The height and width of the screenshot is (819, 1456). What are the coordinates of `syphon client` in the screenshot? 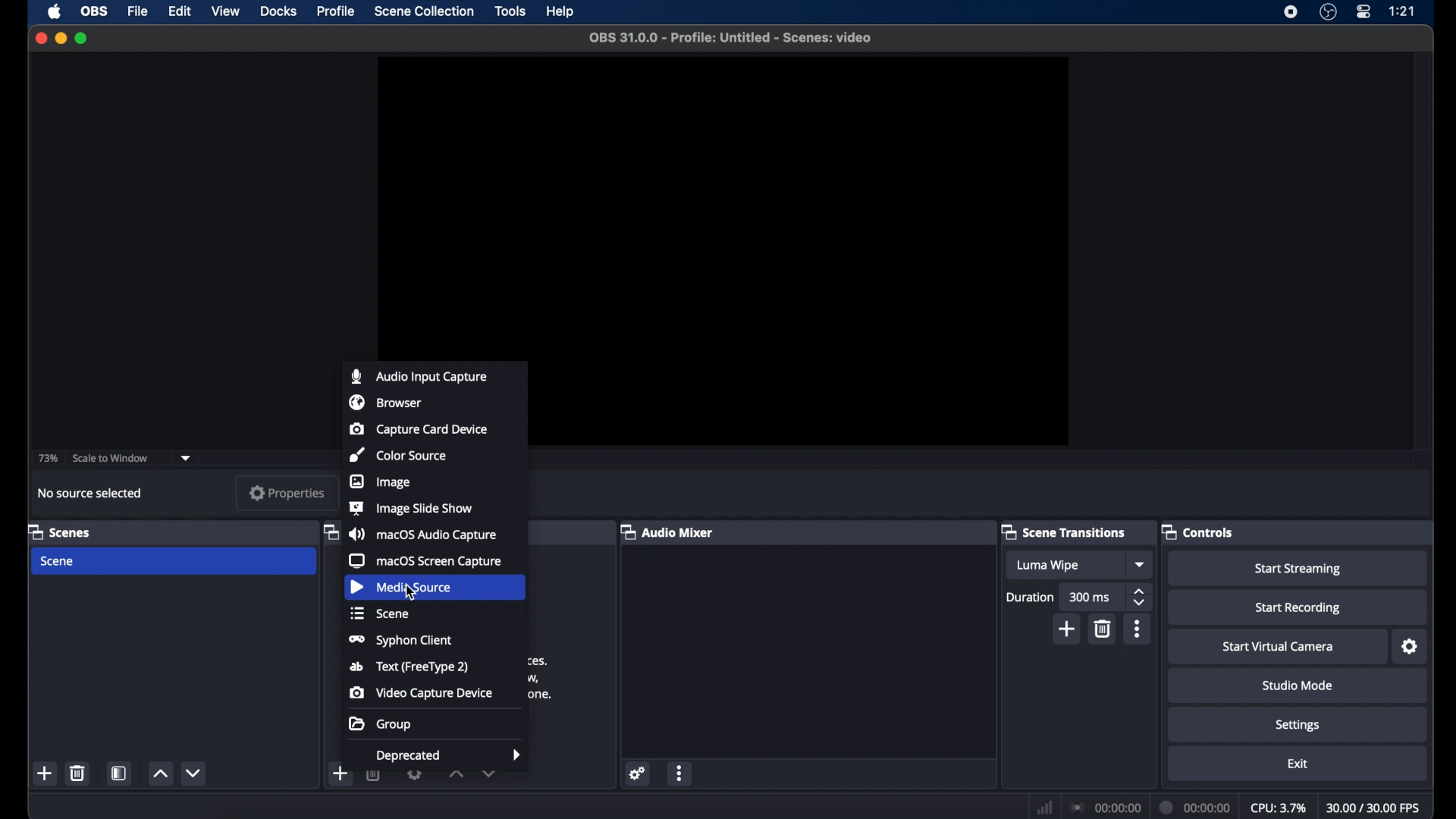 It's located at (400, 640).